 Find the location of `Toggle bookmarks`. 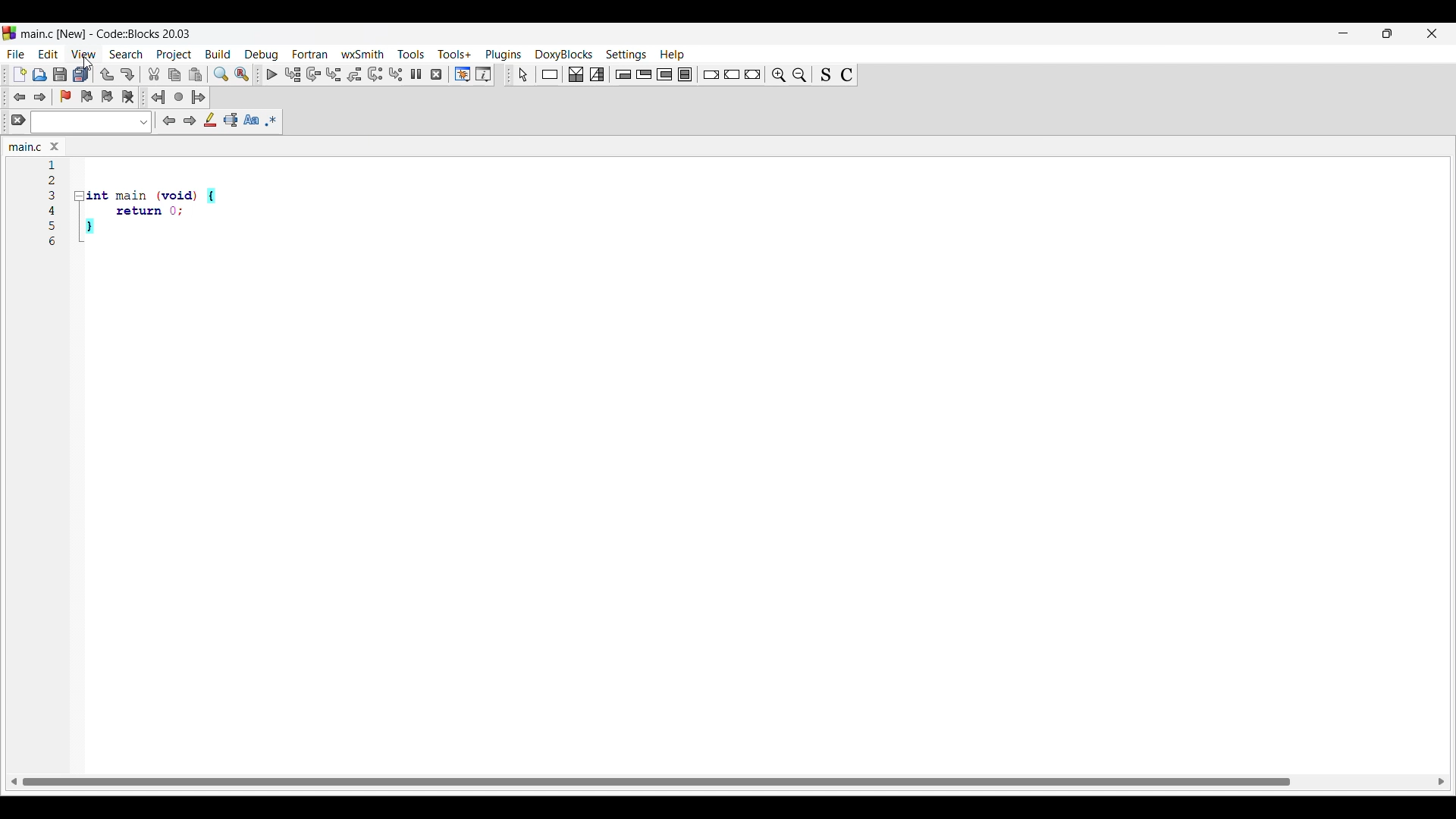

Toggle bookmarks is located at coordinates (65, 96).